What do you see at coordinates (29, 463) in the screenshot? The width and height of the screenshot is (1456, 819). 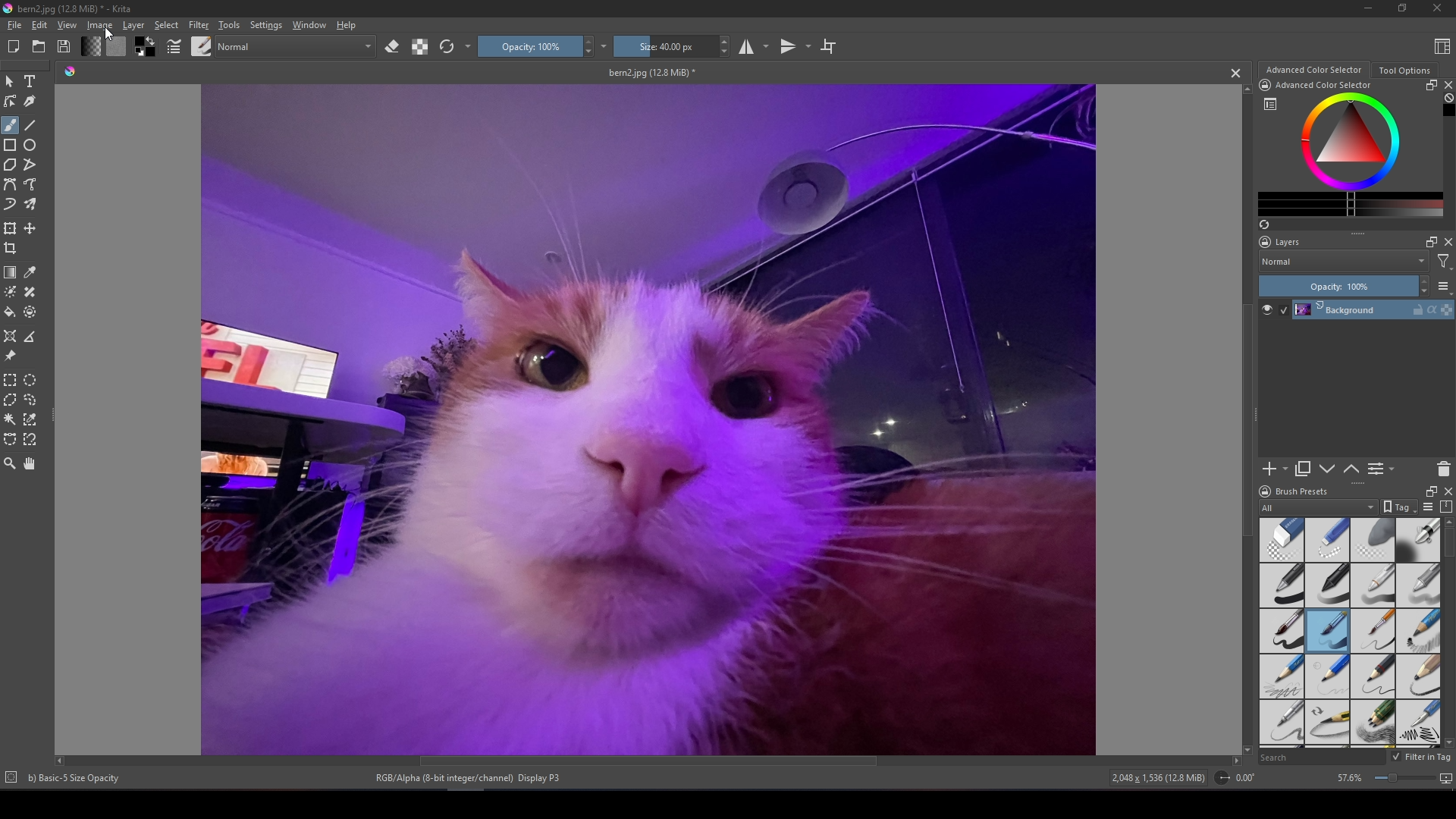 I see `Pan tool` at bounding box center [29, 463].